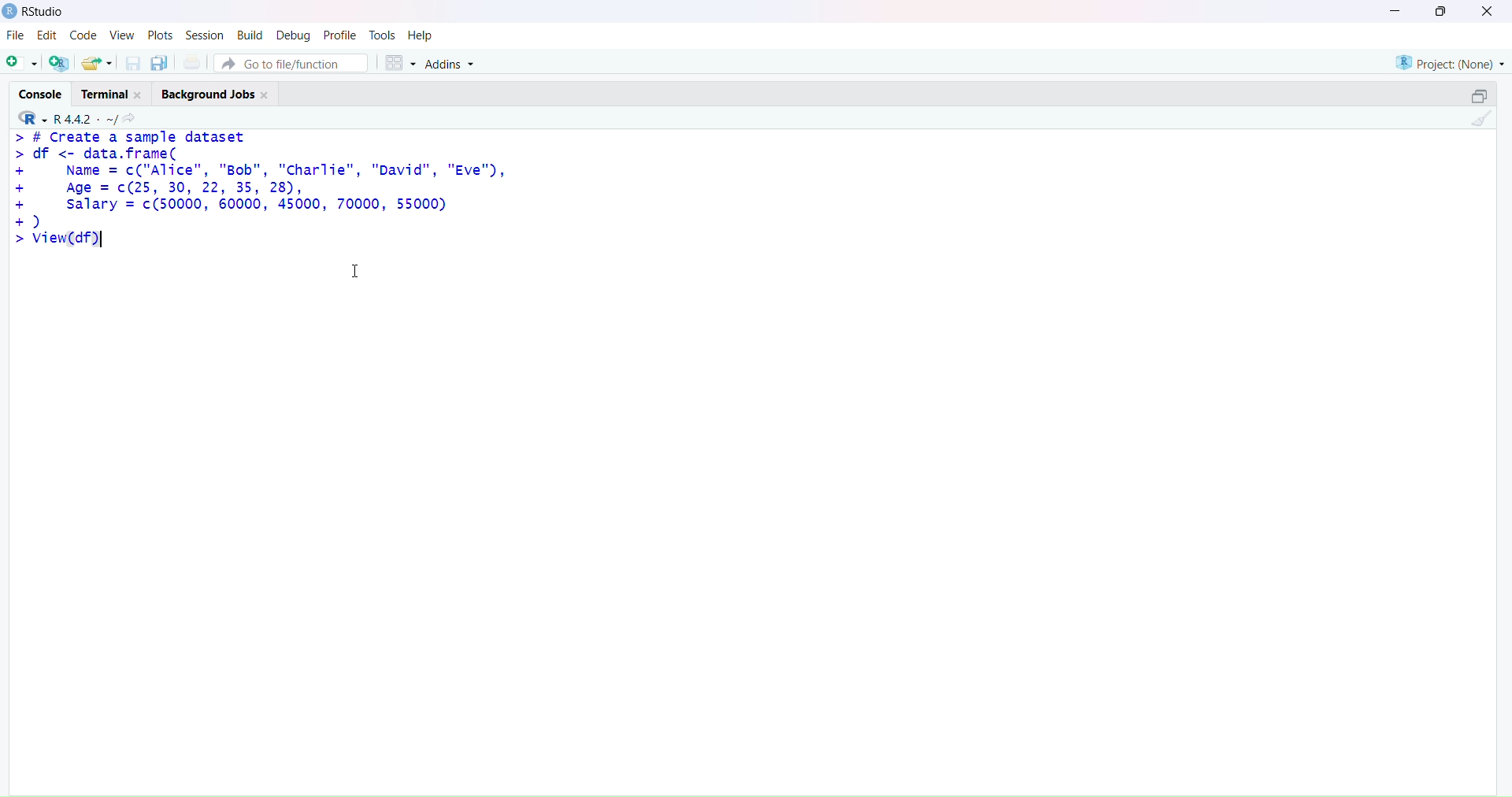 The height and width of the screenshot is (797, 1512). What do you see at coordinates (341, 35) in the screenshot?
I see `profile` at bounding box center [341, 35].